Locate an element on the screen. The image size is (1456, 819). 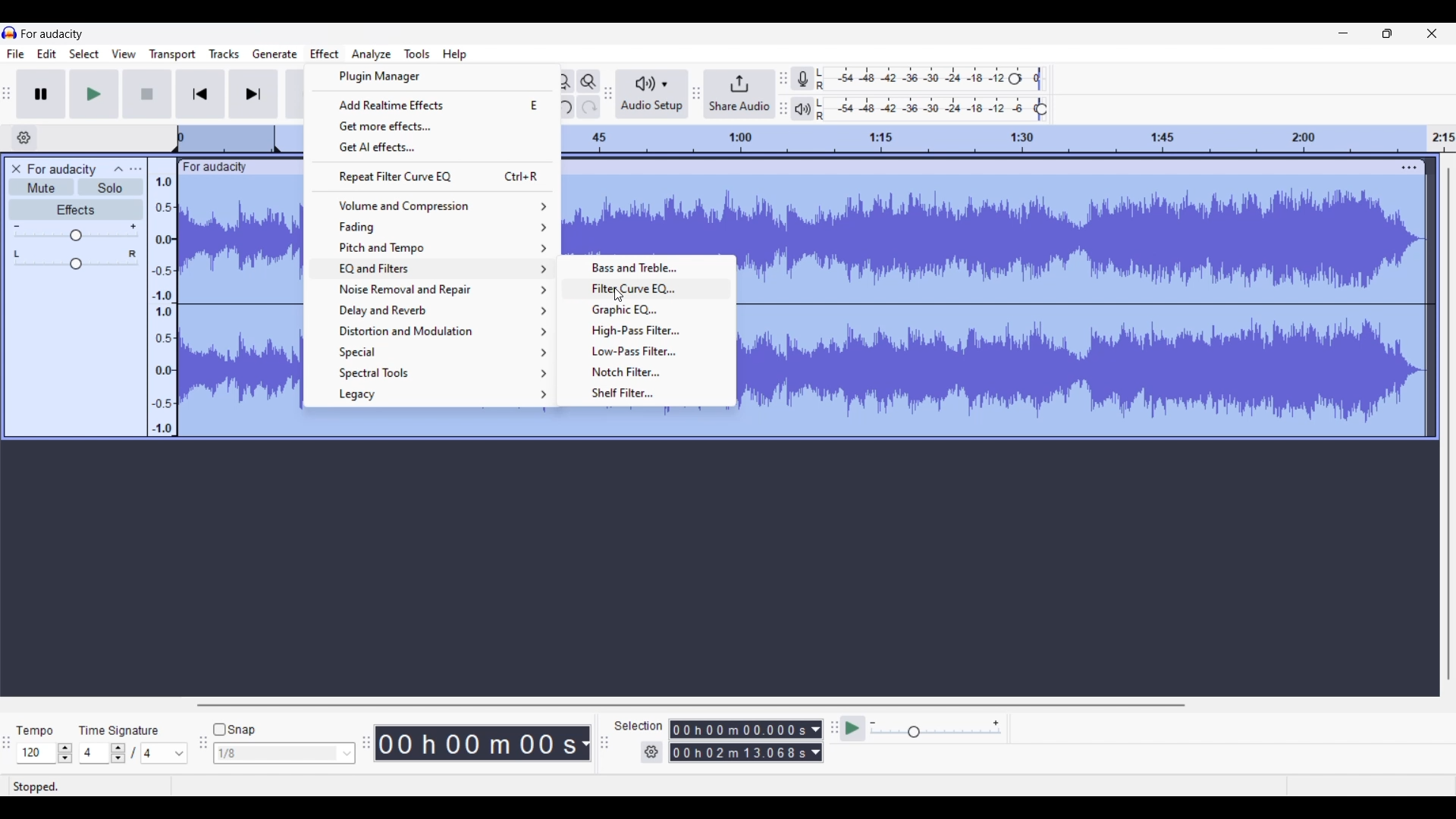
Repeat filter curve EQ is located at coordinates (433, 177).